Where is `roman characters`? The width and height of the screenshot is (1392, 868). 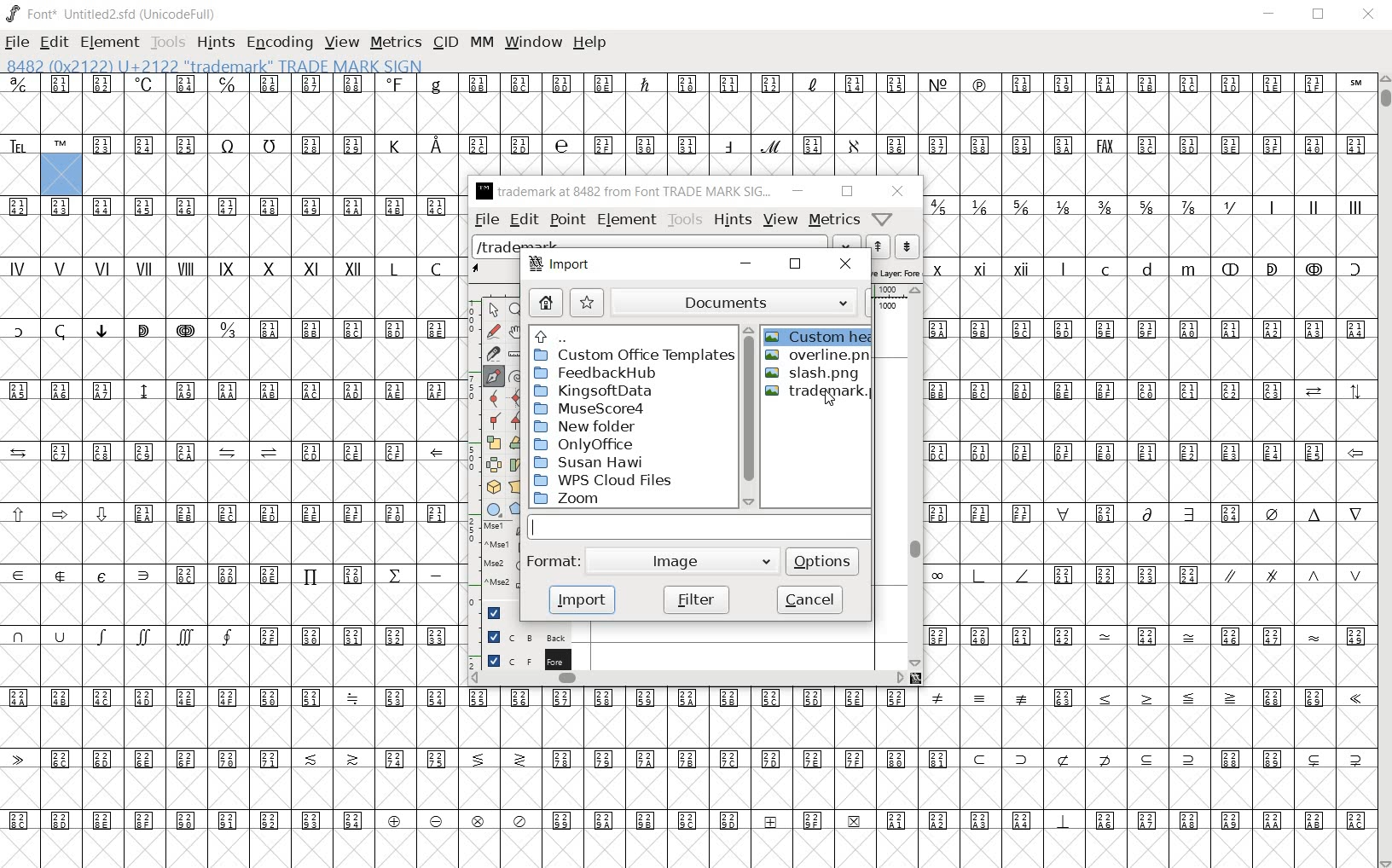
roman characters is located at coordinates (229, 286).